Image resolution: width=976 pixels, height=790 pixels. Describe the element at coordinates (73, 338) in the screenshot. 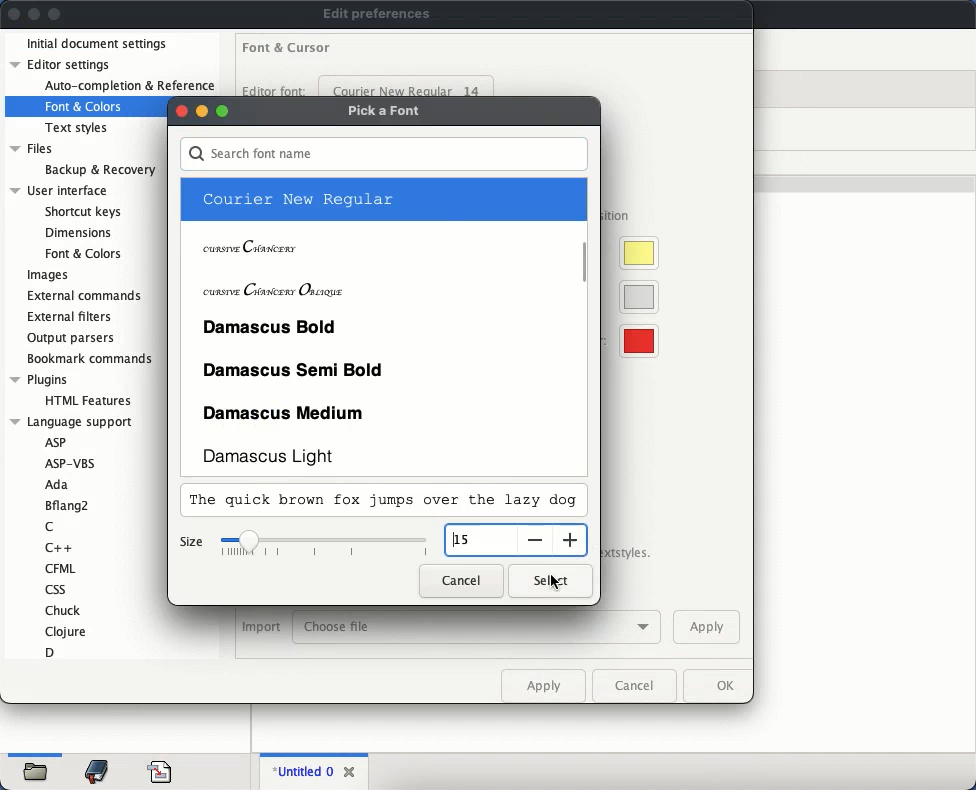

I see `output parsers` at that location.